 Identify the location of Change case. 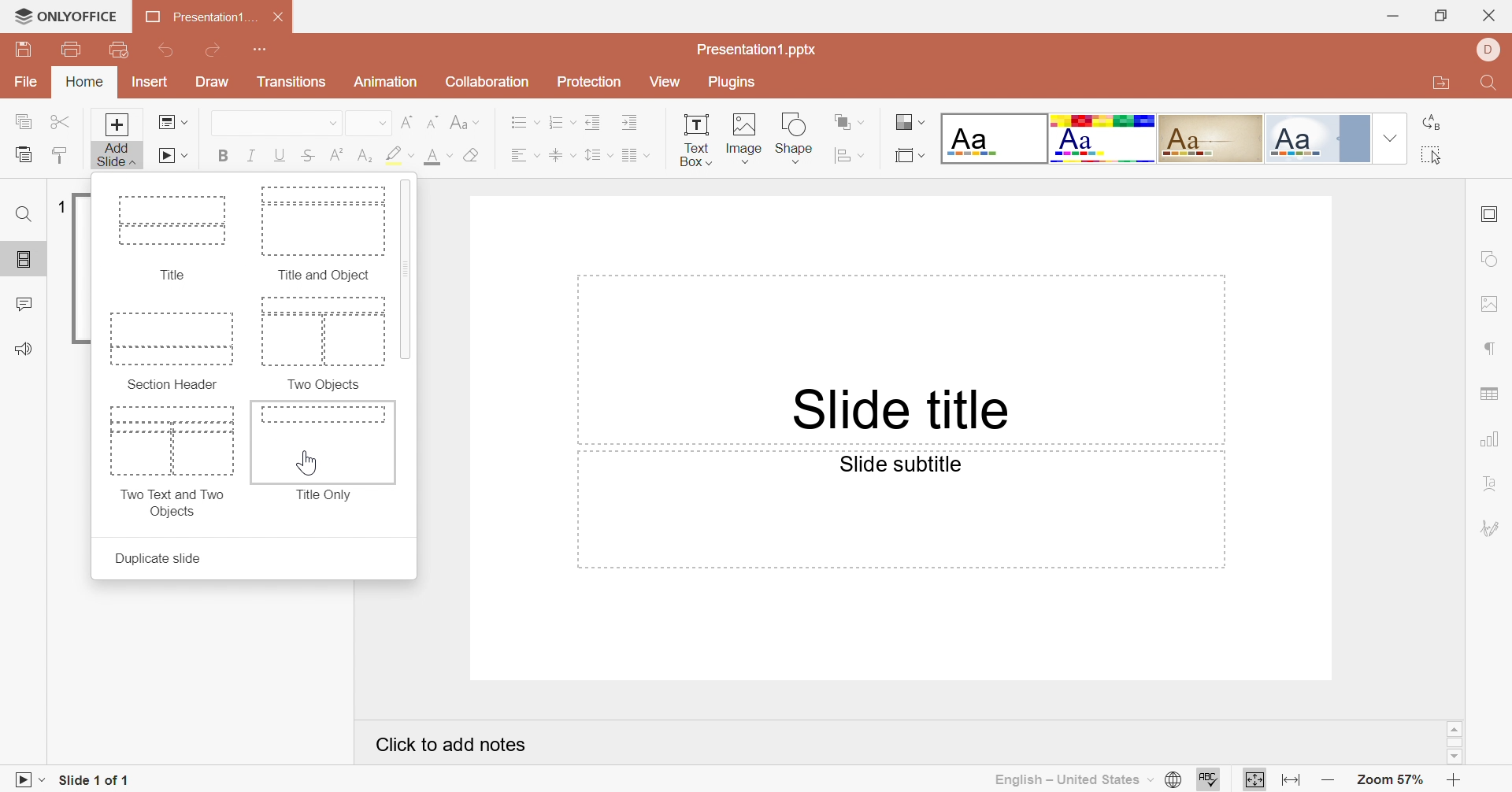
(461, 120).